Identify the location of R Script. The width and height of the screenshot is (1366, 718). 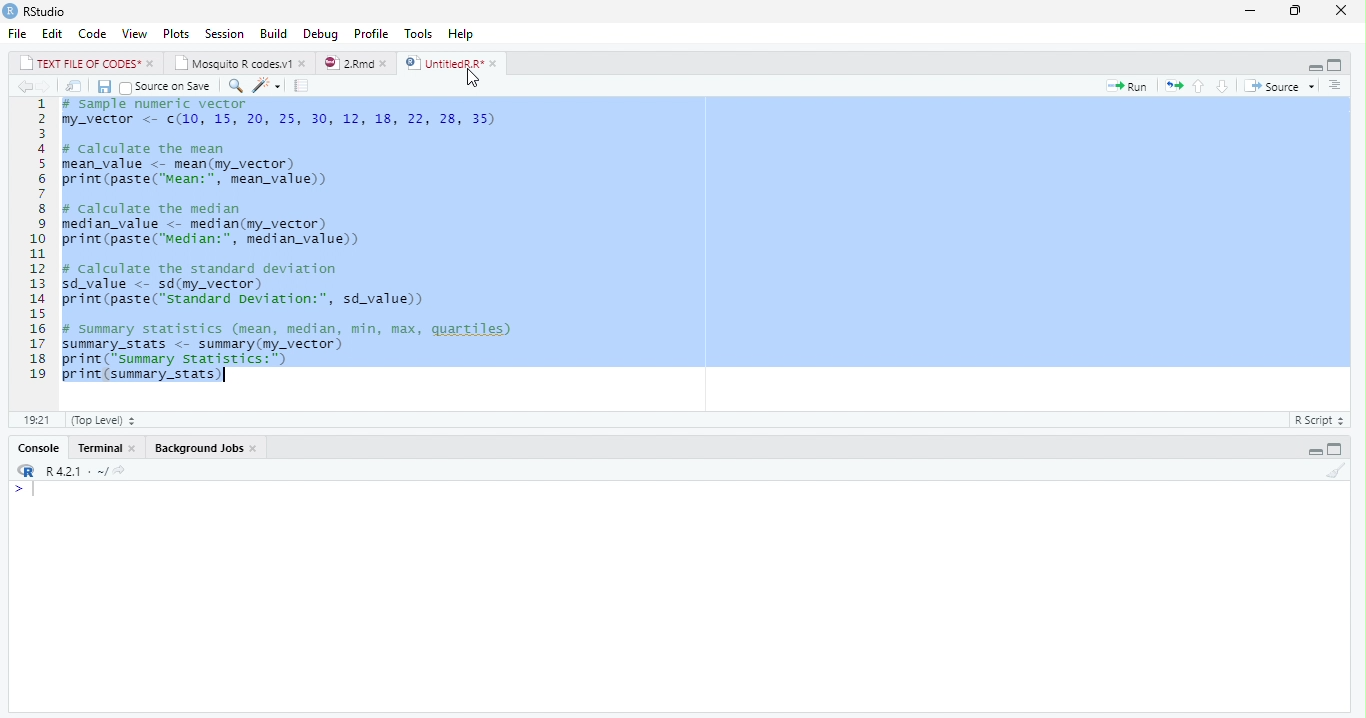
(1317, 421).